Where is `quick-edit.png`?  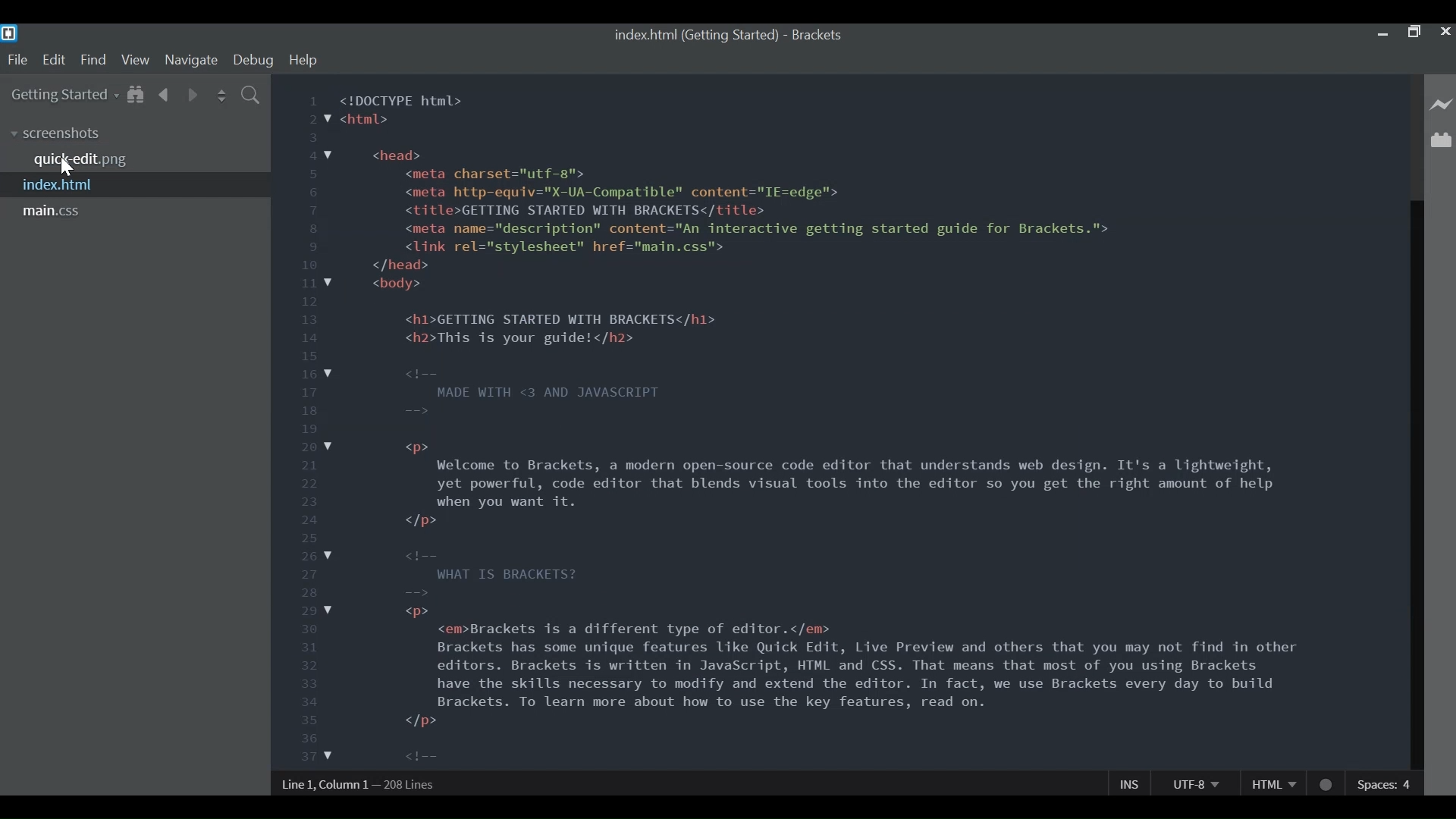 quick-edit.png is located at coordinates (86, 160).